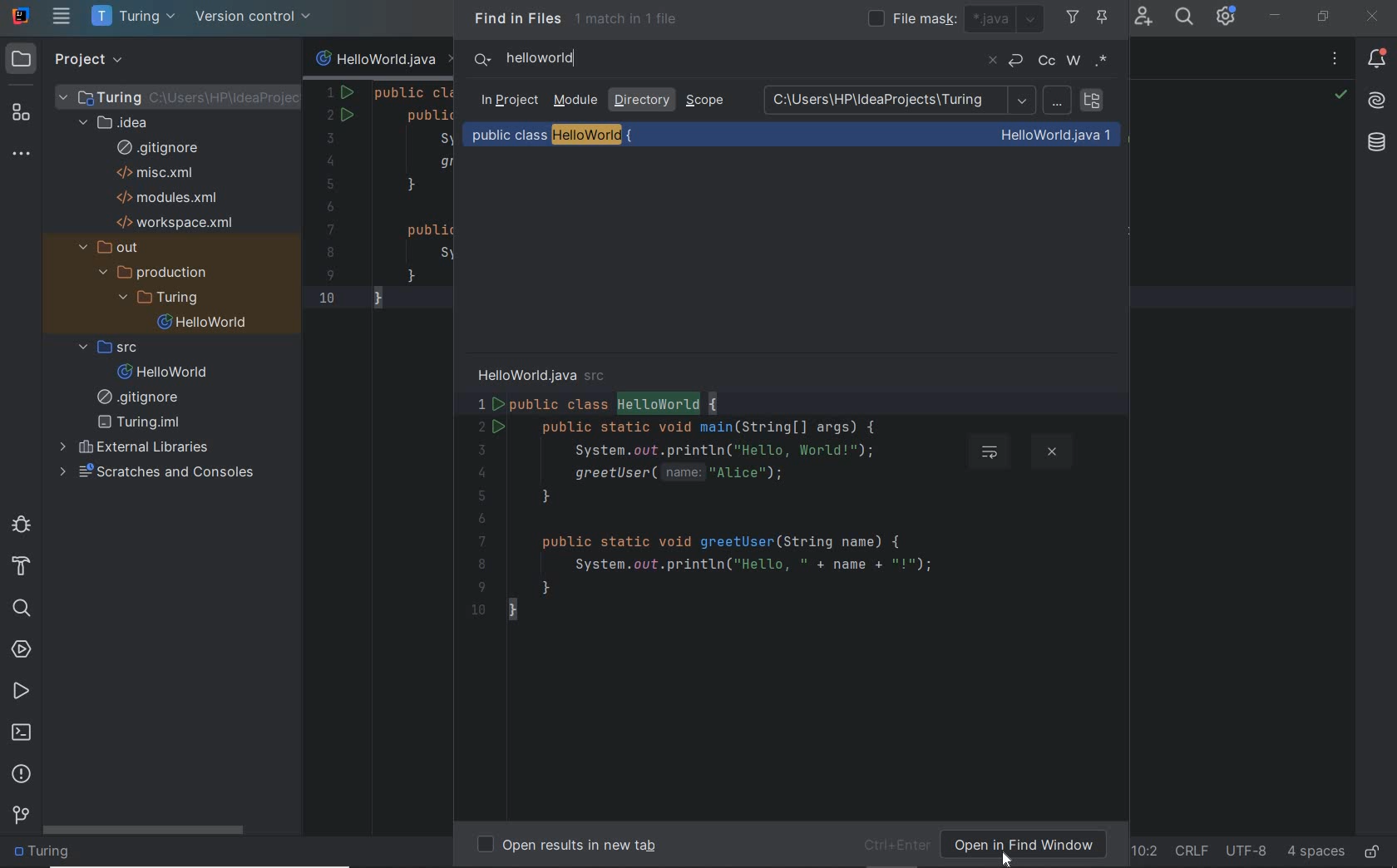  Describe the element at coordinates (706, 97) in the screenshot. I see `Scope` at that location.